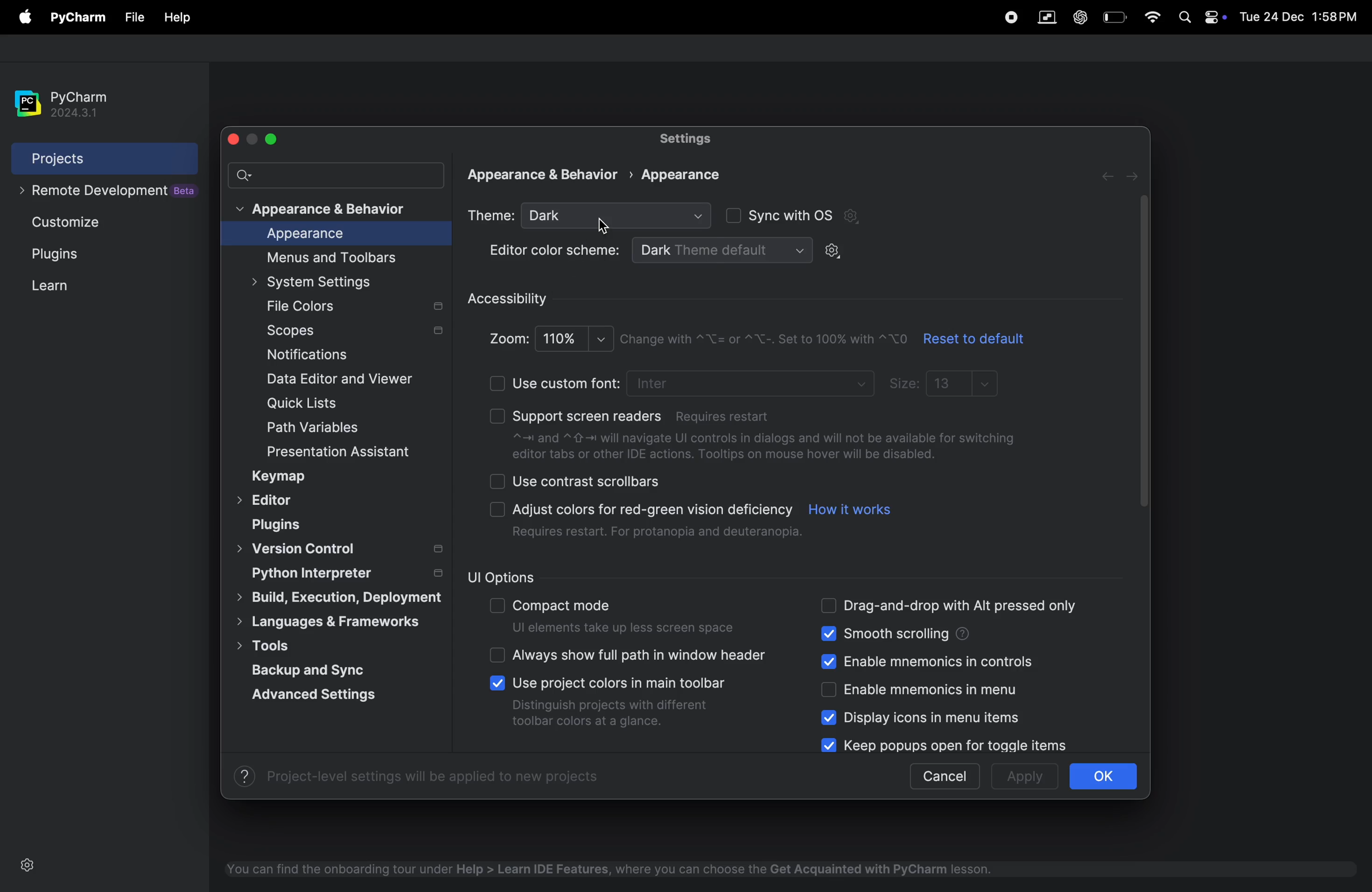 This screenshot has height=892, width=1372. I want to click on check boxes, so click(830, 689).